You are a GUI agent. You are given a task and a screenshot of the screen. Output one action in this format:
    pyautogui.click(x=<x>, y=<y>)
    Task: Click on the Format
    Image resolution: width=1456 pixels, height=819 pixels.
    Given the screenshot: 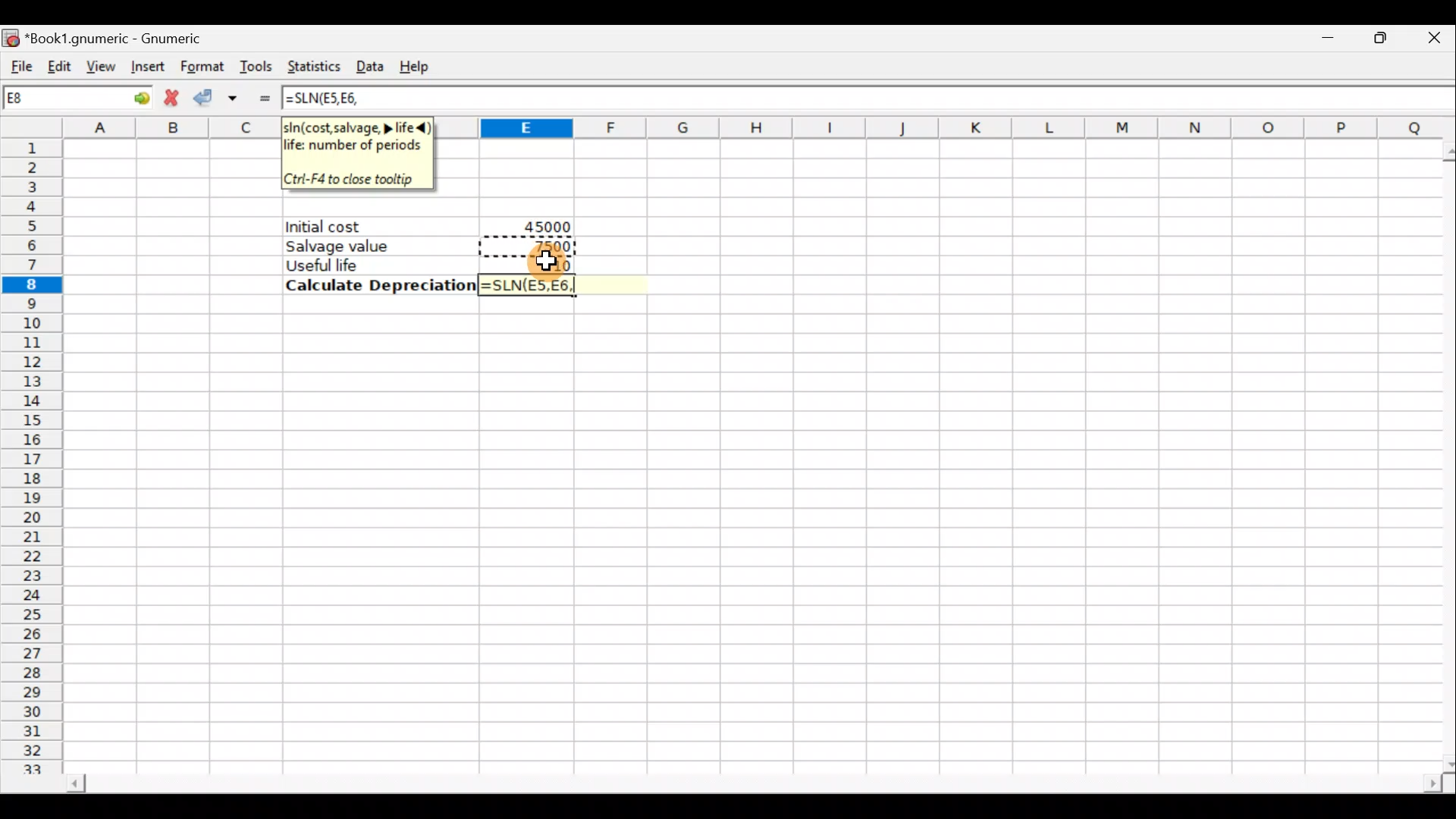 What is the action you would take?
    pyautogui.click(x=200, y=64)
    